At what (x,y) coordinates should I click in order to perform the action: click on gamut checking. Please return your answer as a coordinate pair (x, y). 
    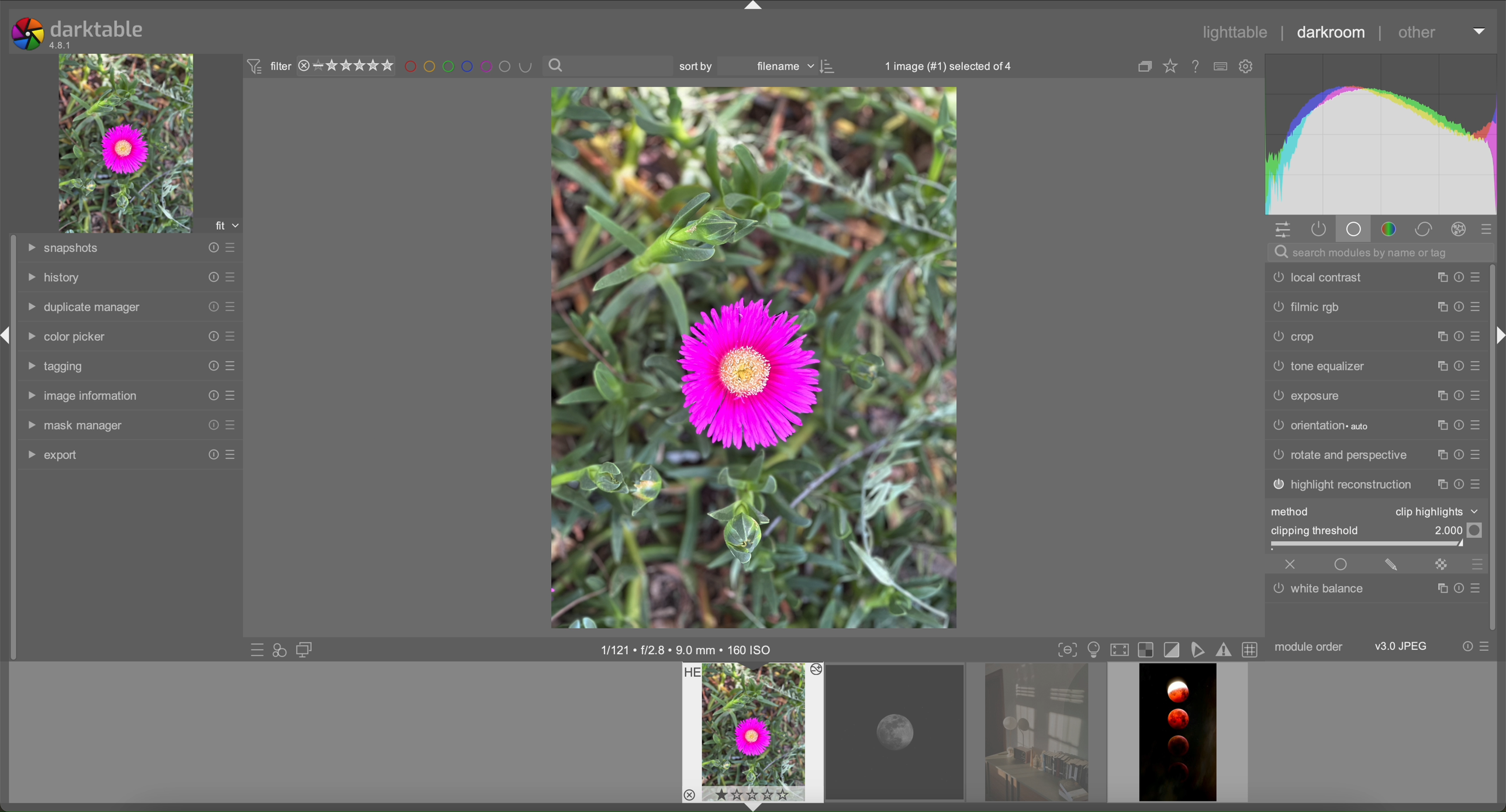
    Looking at the image, I should click on (1226, 652).